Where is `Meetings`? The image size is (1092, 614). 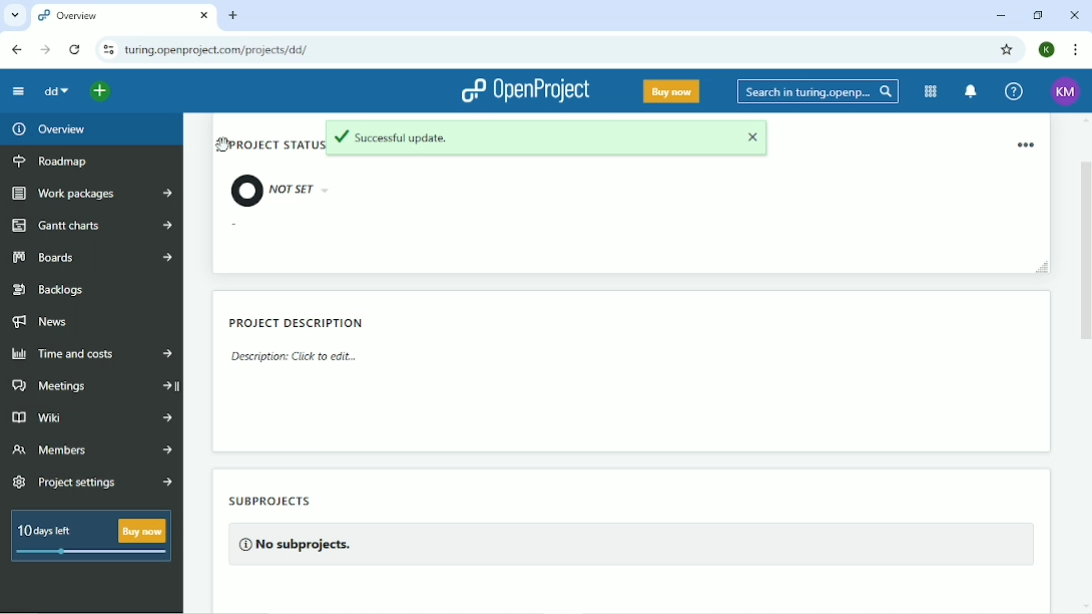
Meetings is located at coordinates (91, 387).